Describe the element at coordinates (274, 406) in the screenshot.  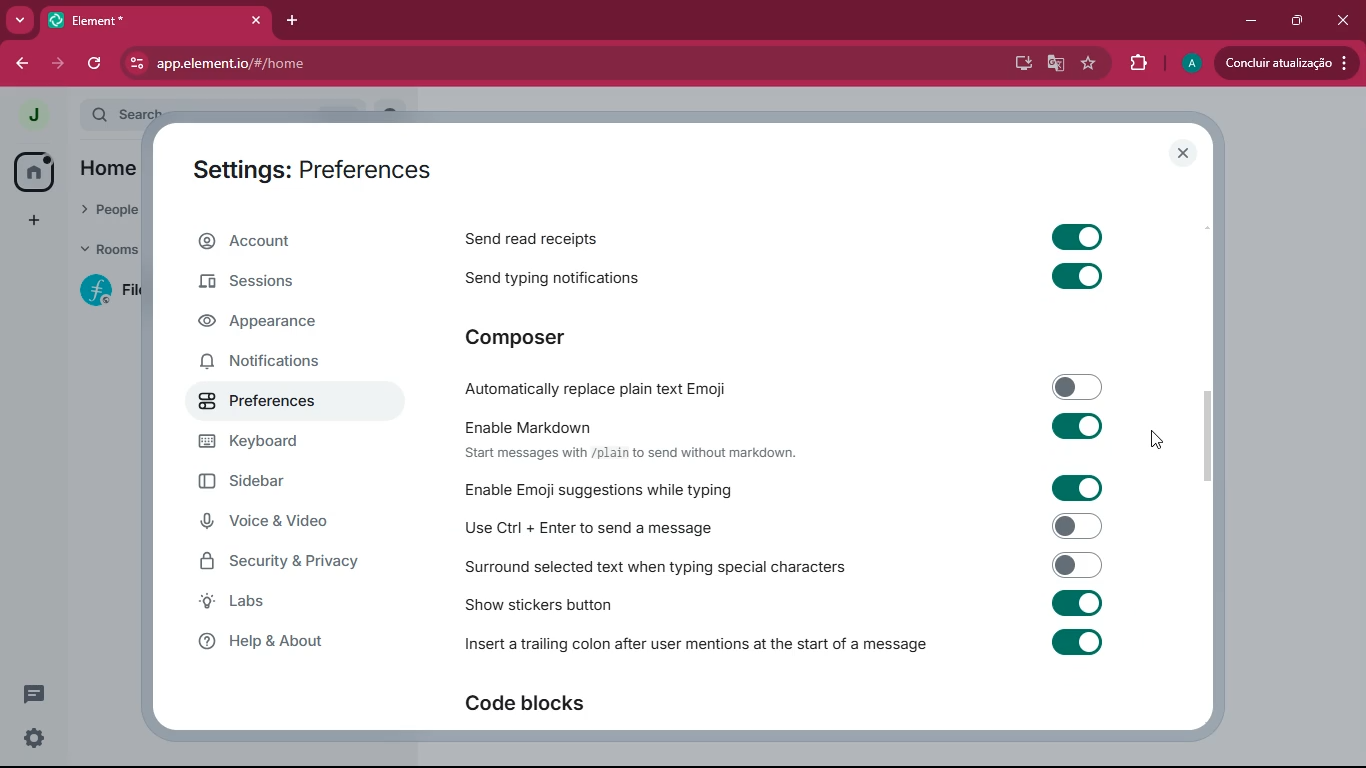
I see `preferences` at that location.